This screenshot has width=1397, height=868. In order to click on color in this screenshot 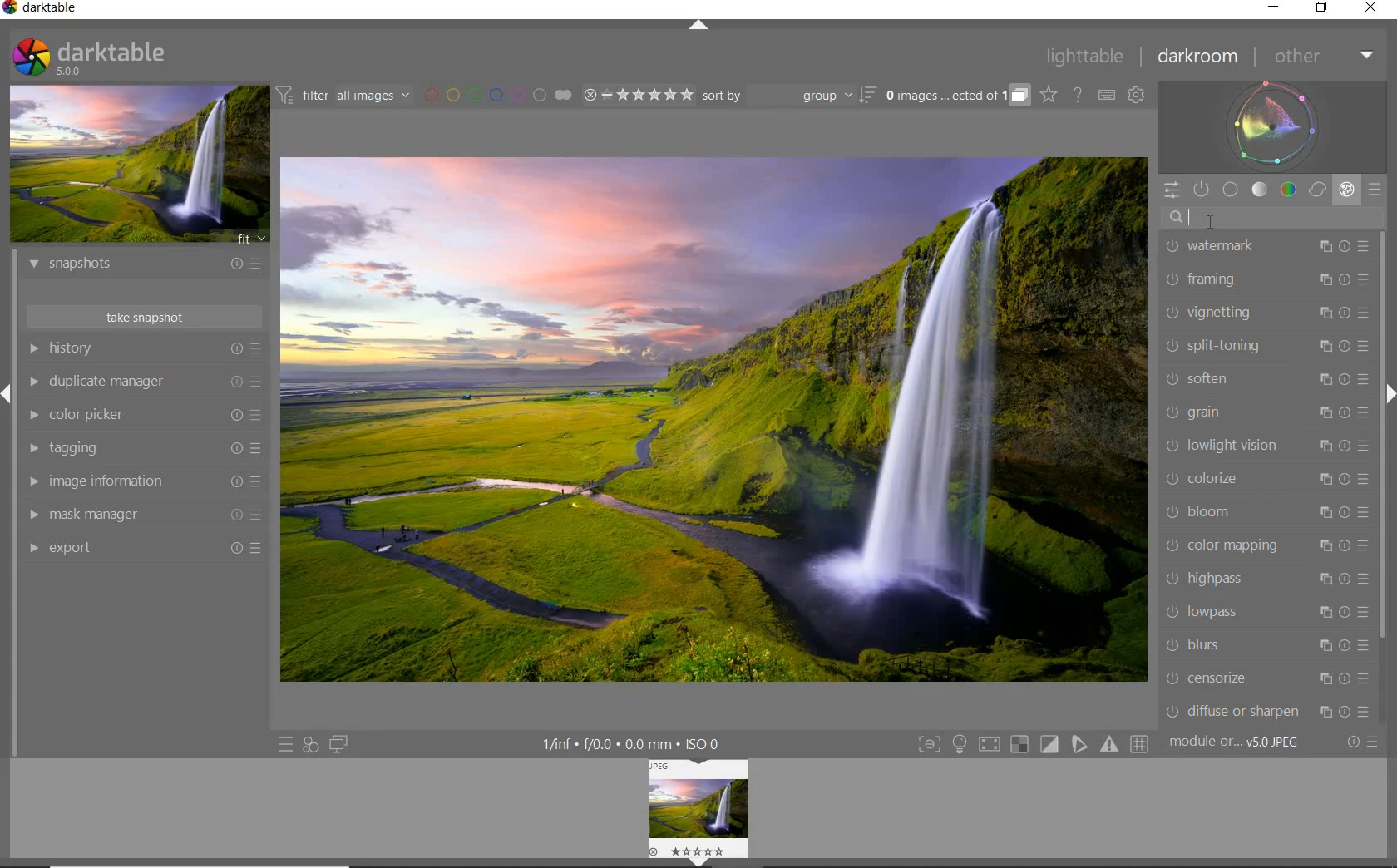, I will do `click(1287, 190)`.